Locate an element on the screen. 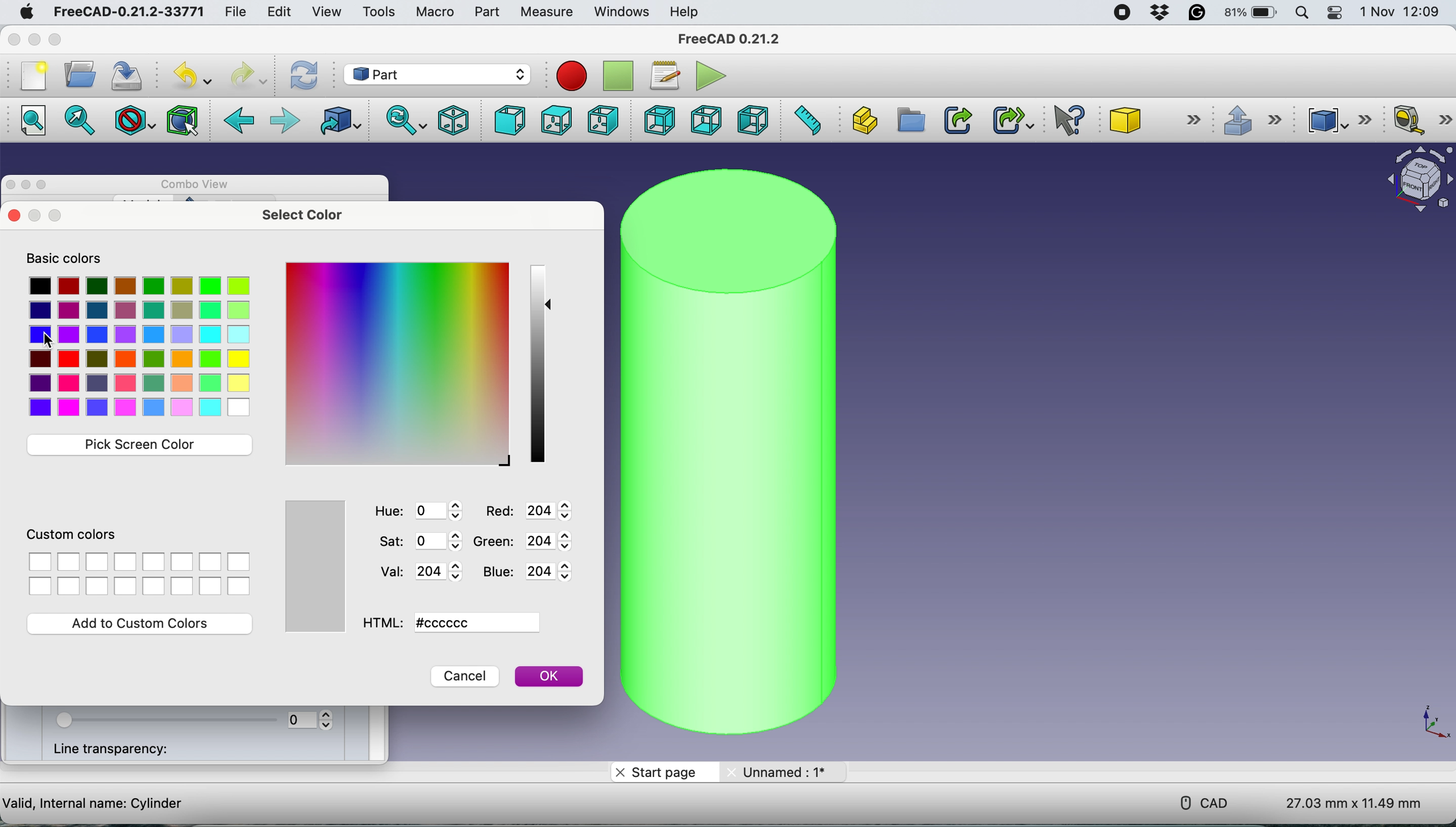 The image size is (1456, 827). isometric is located at coordinates (452, 120).